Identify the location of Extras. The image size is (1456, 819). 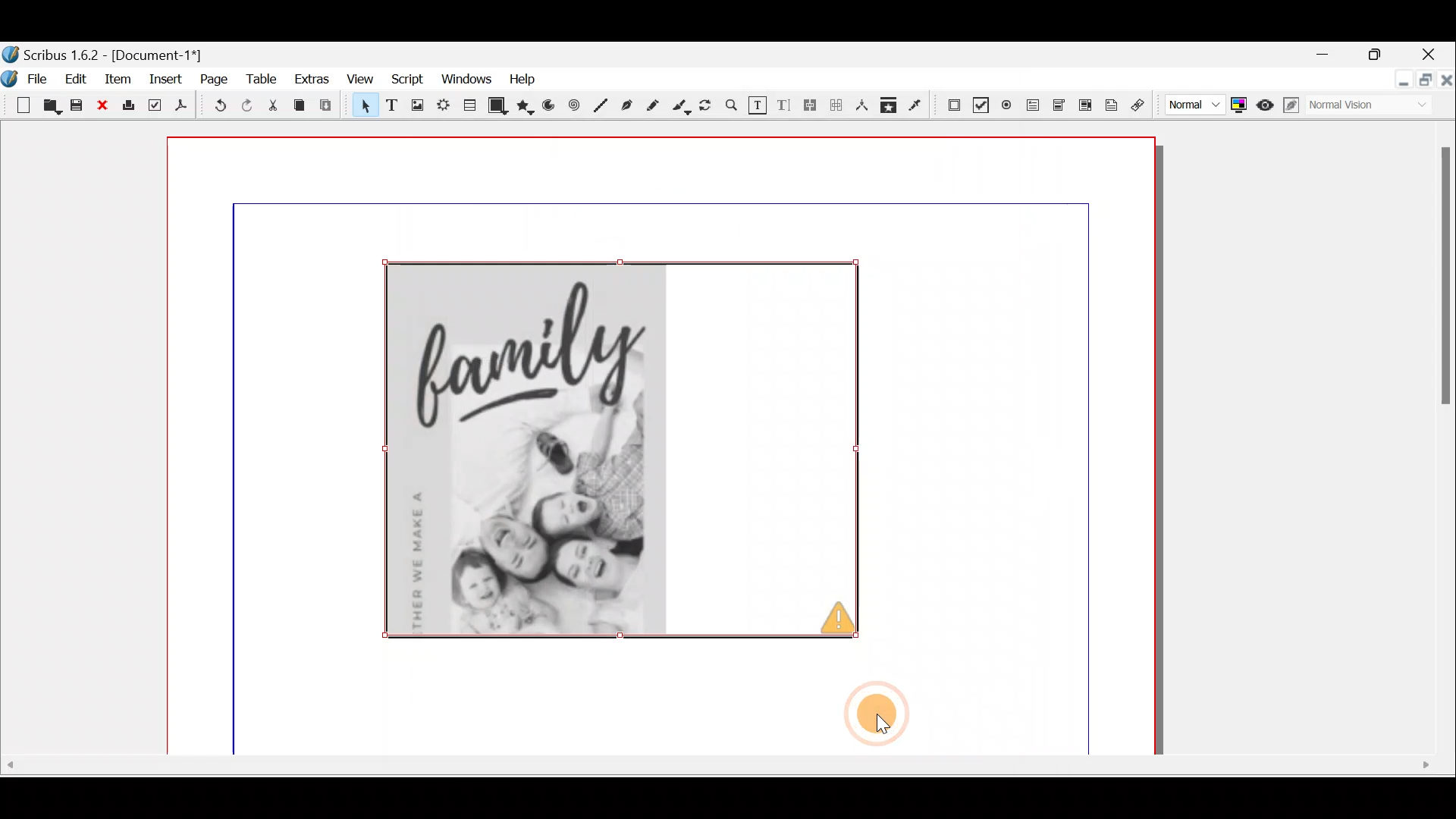
(312, 83).